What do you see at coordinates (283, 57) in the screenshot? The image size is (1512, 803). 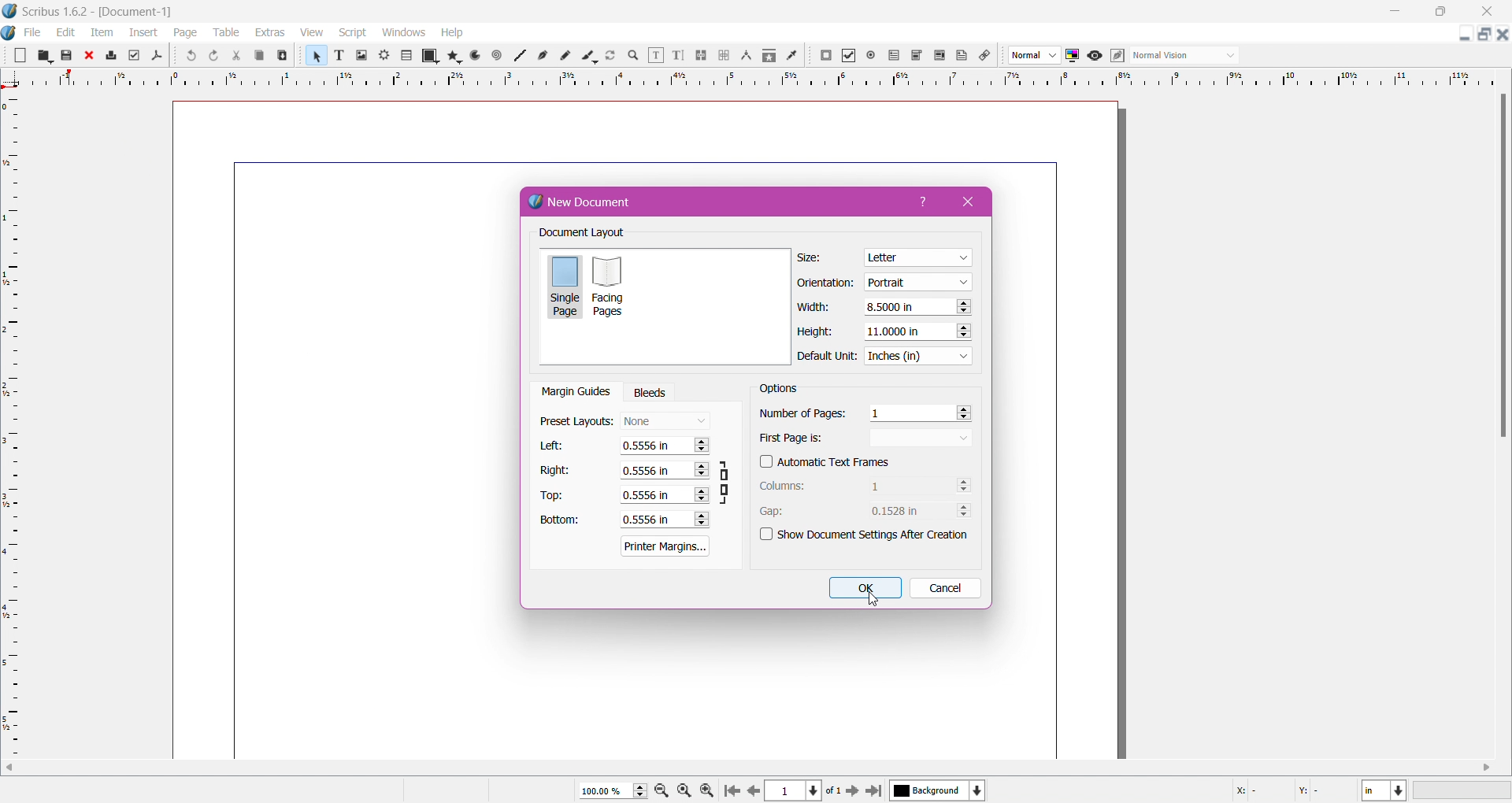 I see `paste` at bounding box center [283, 57].